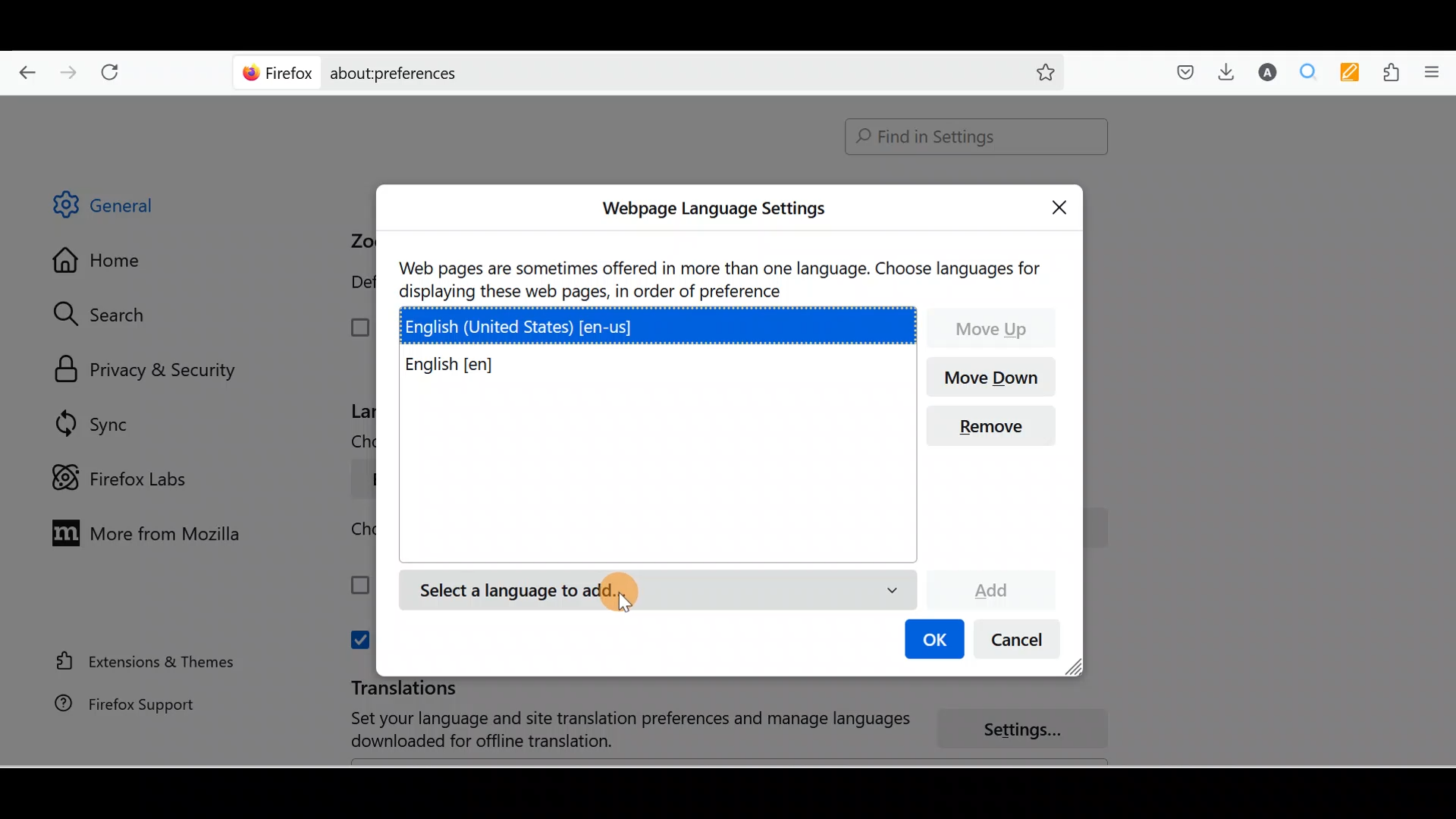  I want to click on English [en], so click(467, 366).